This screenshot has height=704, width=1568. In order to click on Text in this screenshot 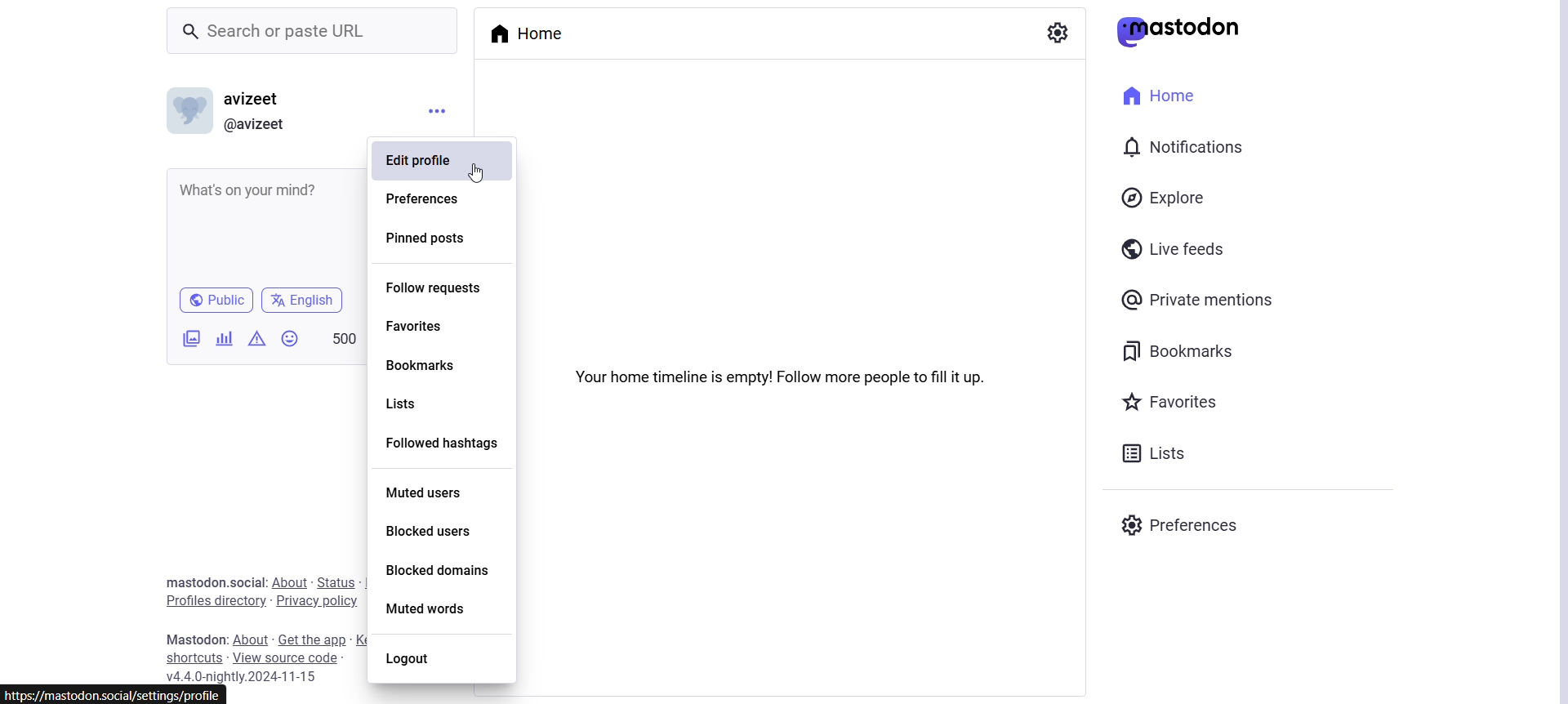, I will do `click(216, 582)`.